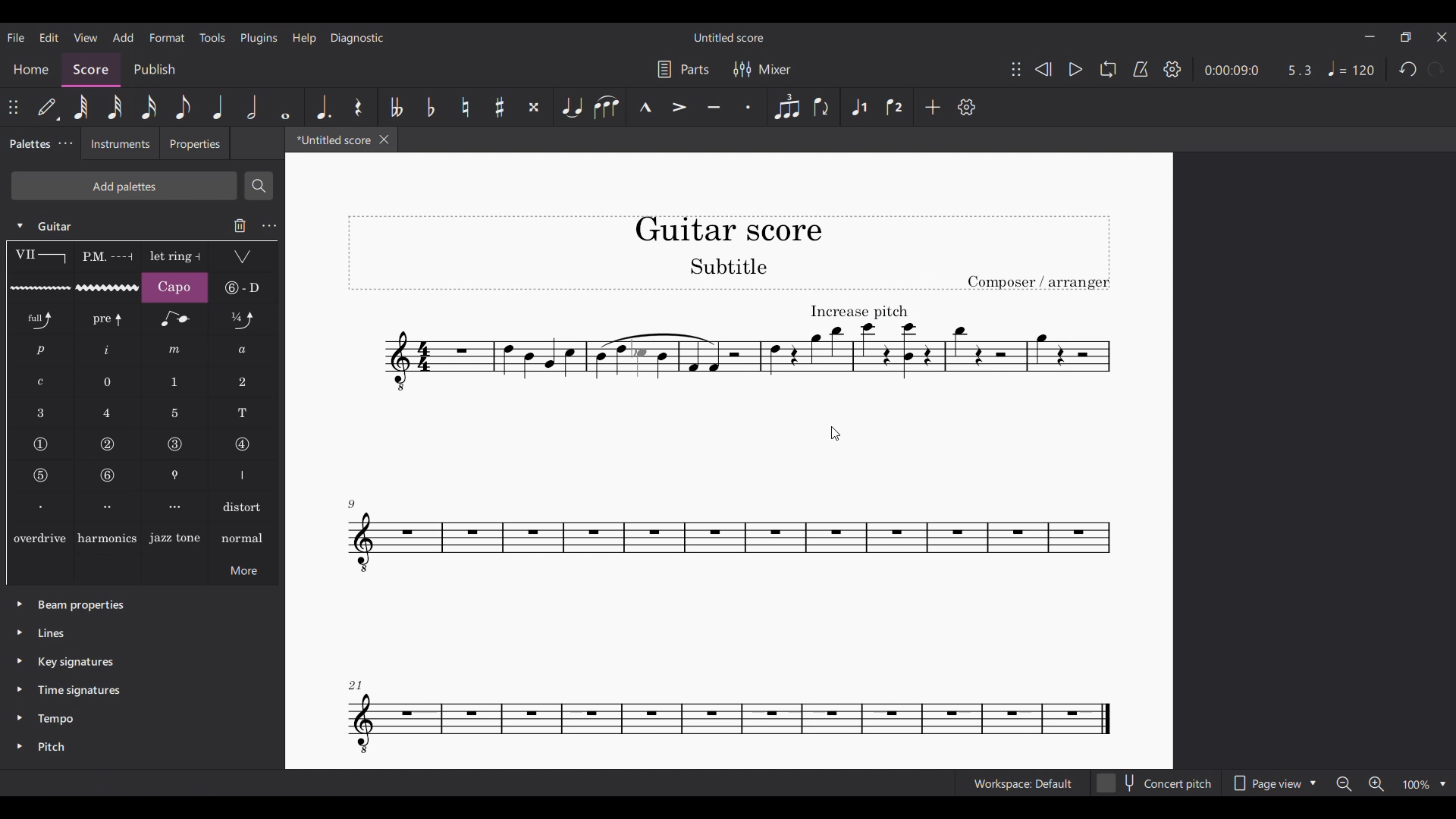 Image resolution: width=1456 pixels, height=819 pixels. Describe the element at coordinates (183, 107) in the screenshot. I see `8th note` at that location.